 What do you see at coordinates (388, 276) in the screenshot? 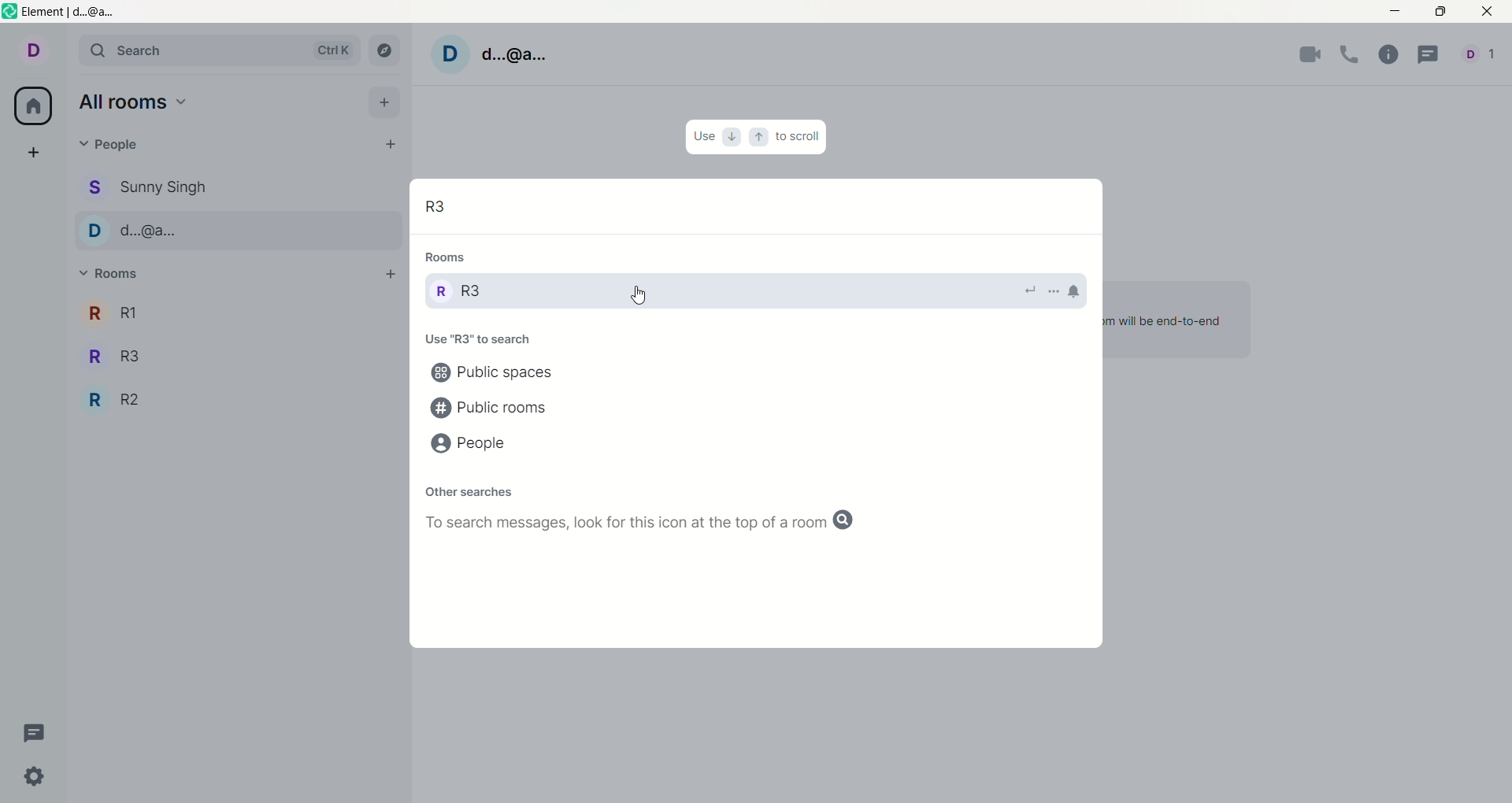
I see `add room` at bounding box center [388, 276].